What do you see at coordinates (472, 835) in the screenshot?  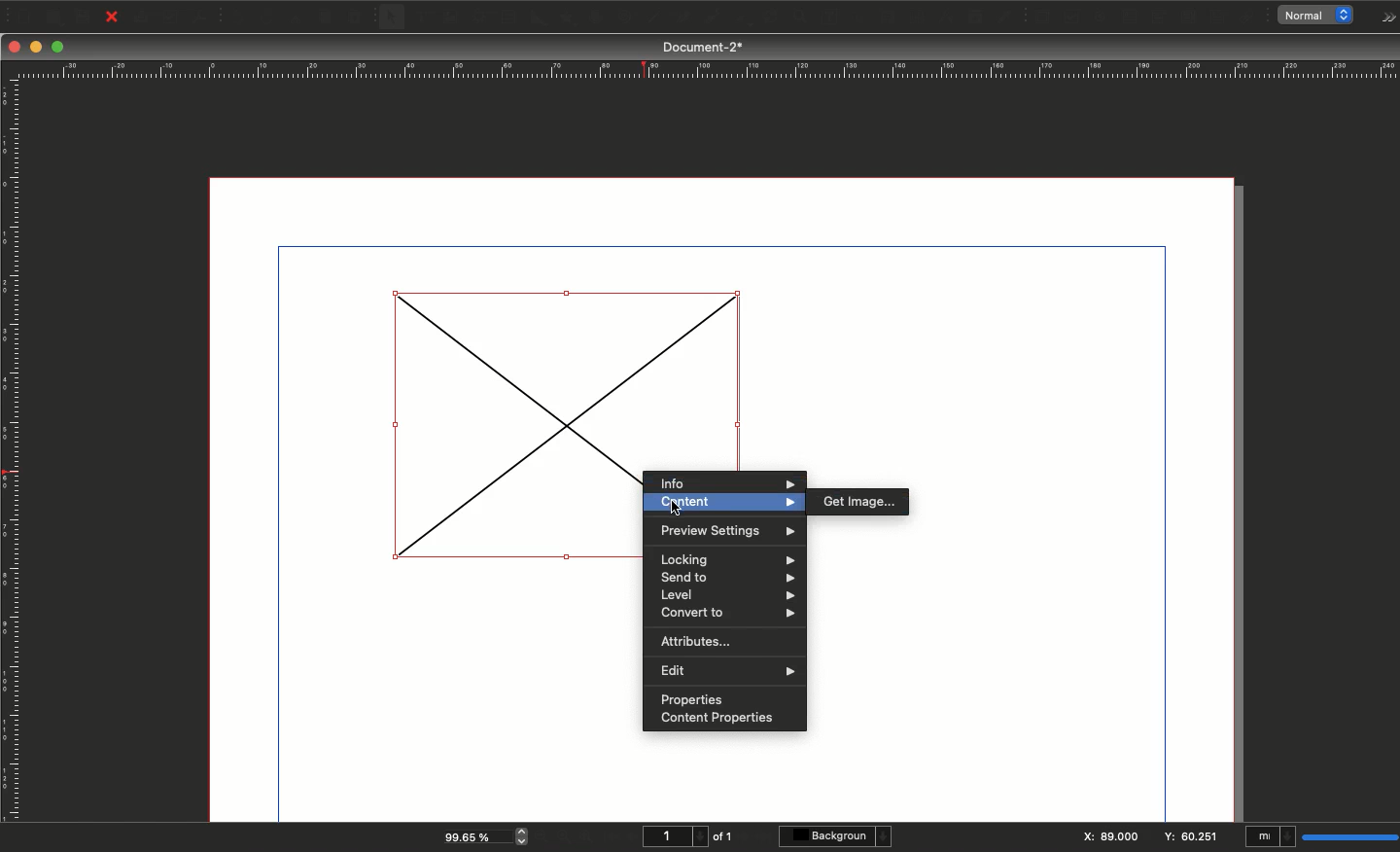 I see `99.65 %` at bounding box center [472, 835].